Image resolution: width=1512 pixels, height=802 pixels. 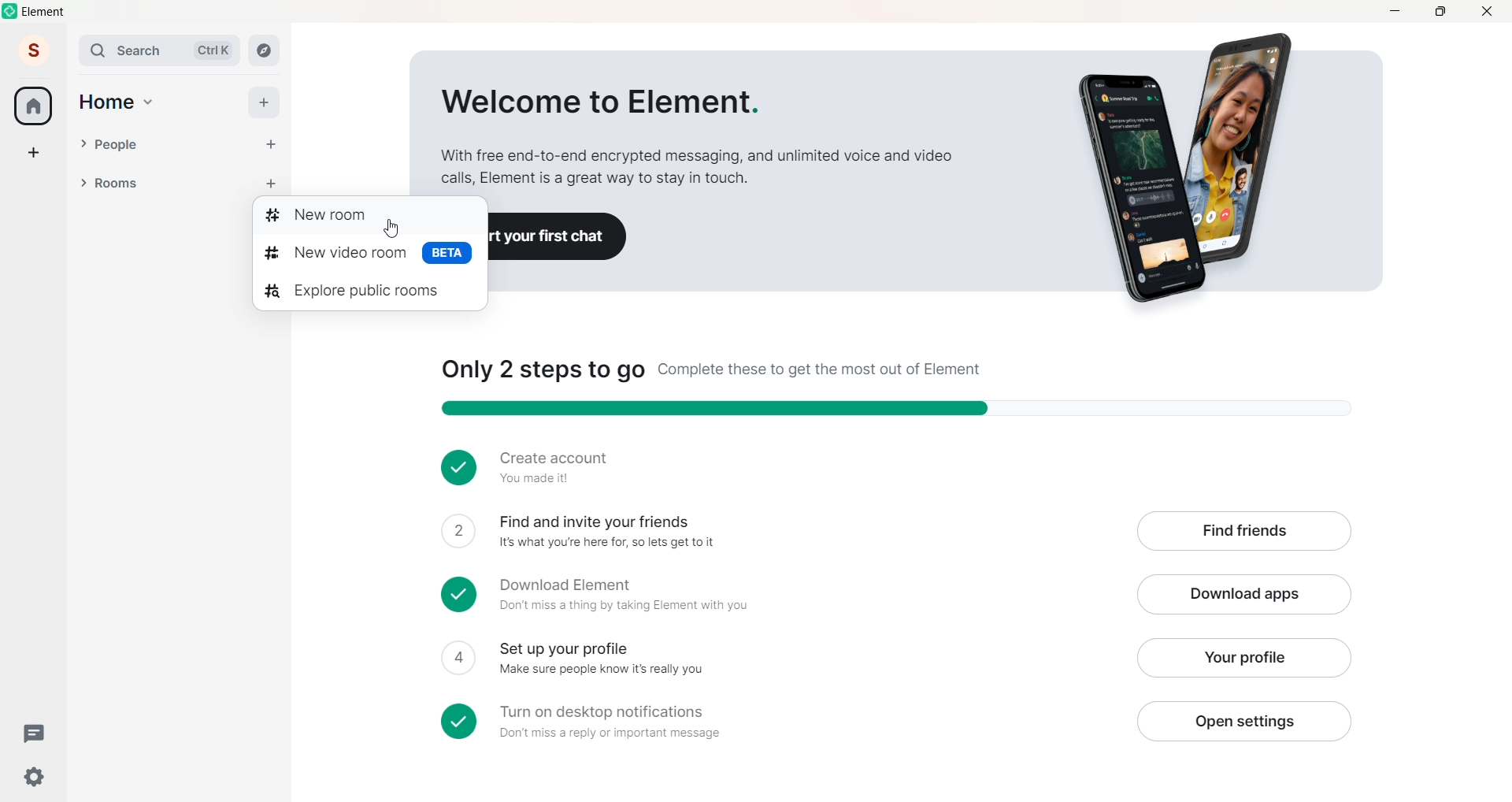 What do you see at coordinates (35, 777) in the screenshot?
I see `Quick Settings` at bounding box center [35, 777].